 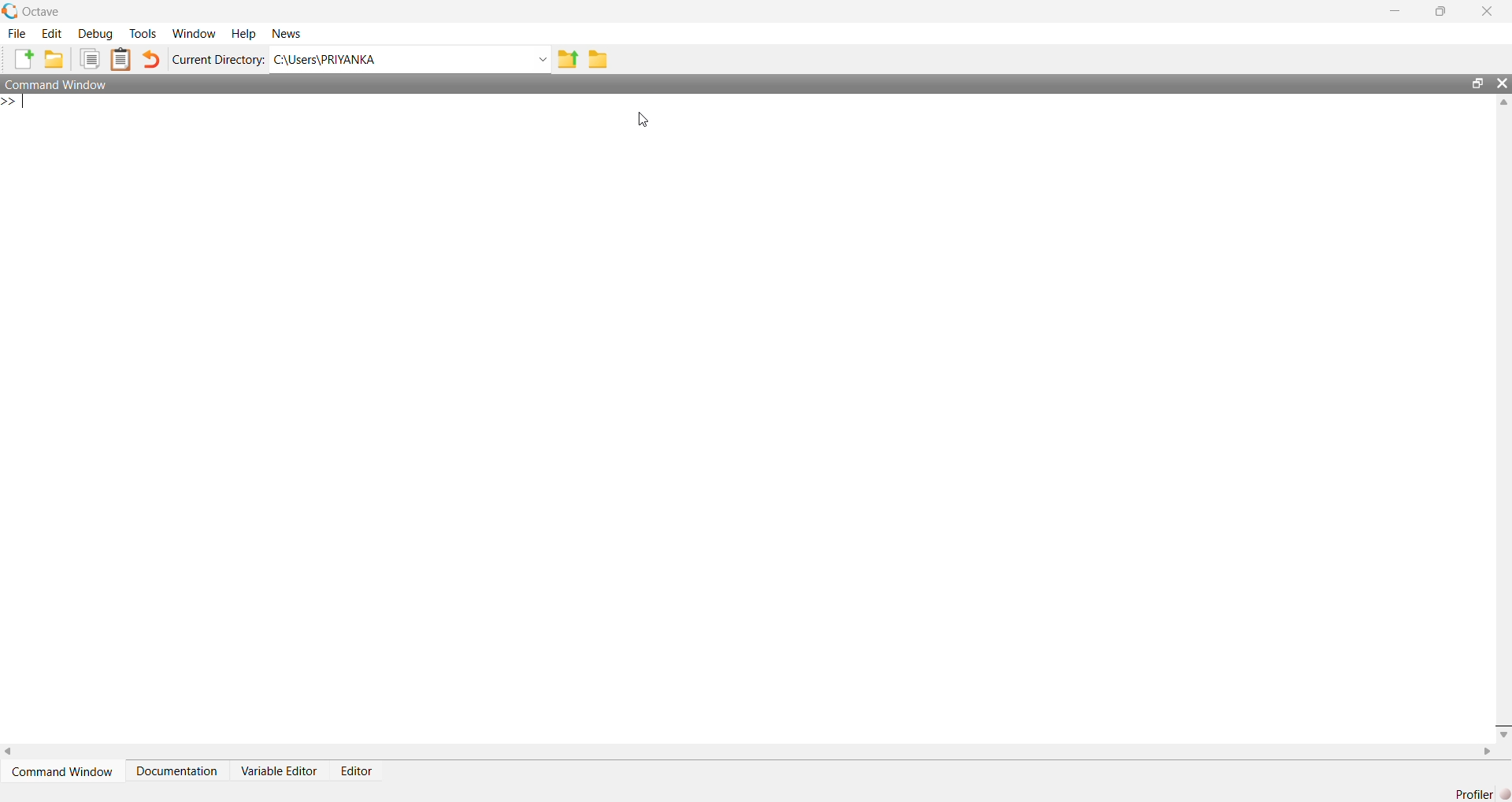 What do you see at coordinates (1440, 12) in the screenshot?
I see `restore` at bounding box center [1440, 12].